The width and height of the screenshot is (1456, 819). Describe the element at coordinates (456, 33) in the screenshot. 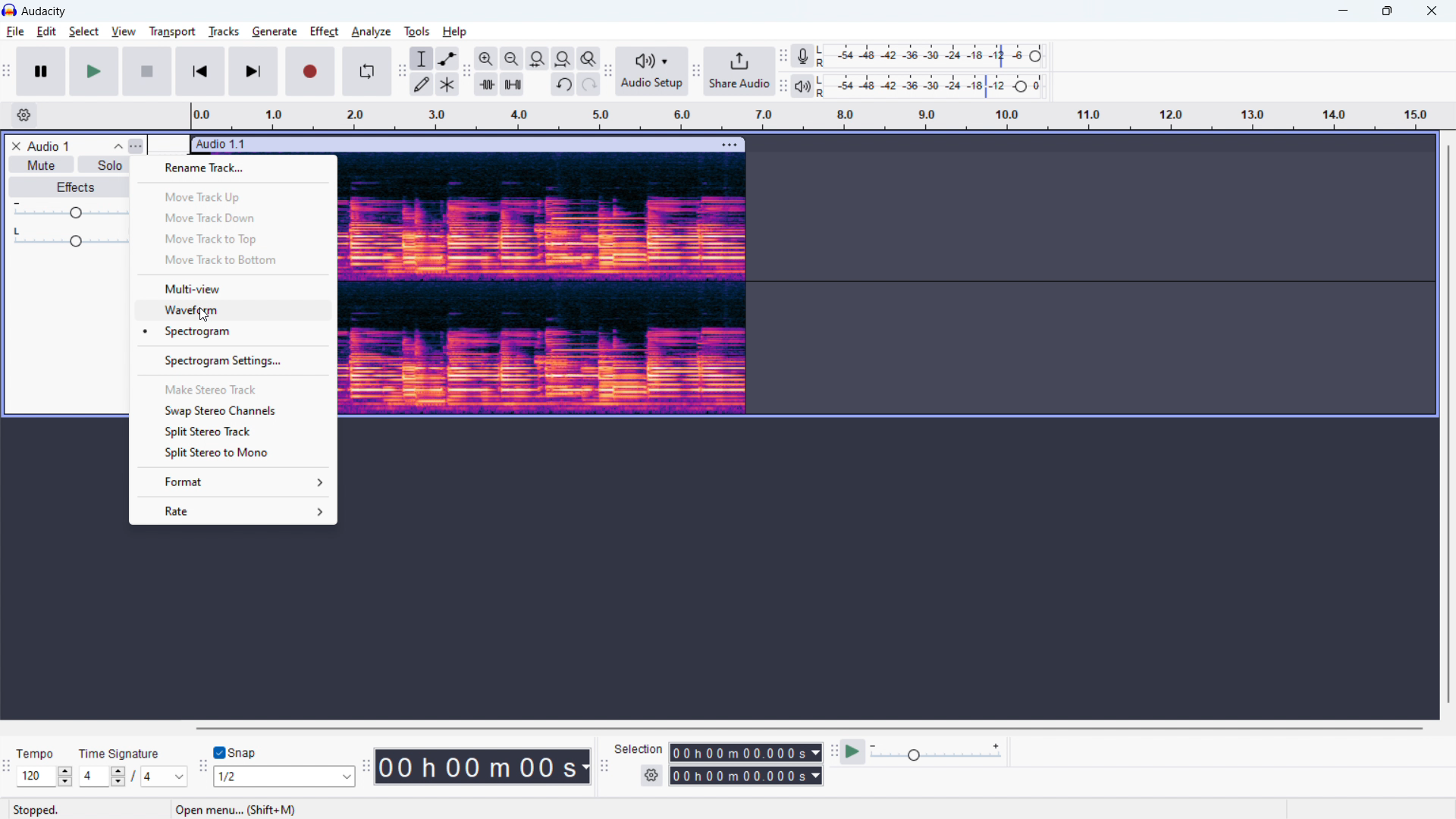

I see `help` at that location.